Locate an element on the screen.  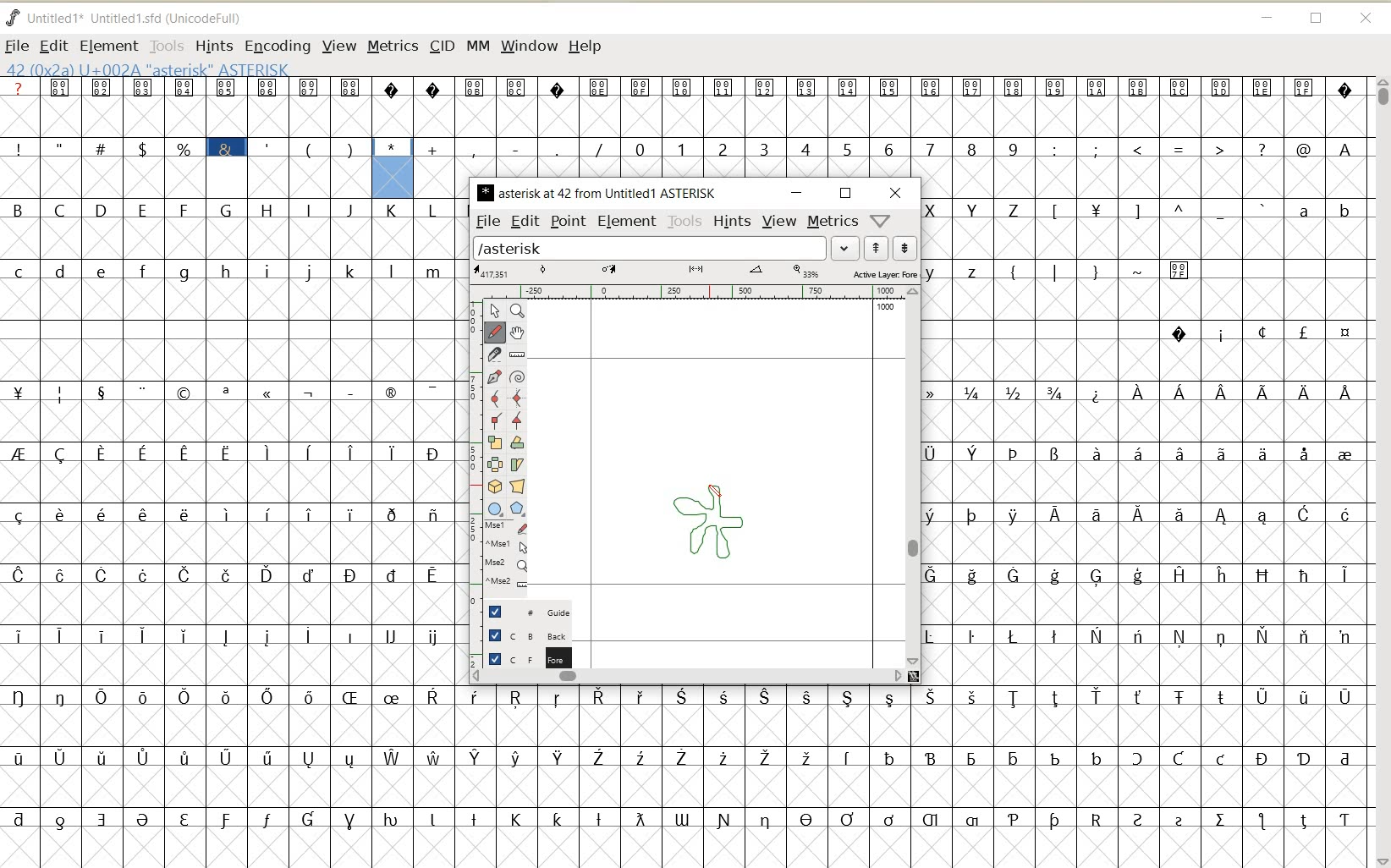
MINIMIZE is located at coordinates (1267, 18).